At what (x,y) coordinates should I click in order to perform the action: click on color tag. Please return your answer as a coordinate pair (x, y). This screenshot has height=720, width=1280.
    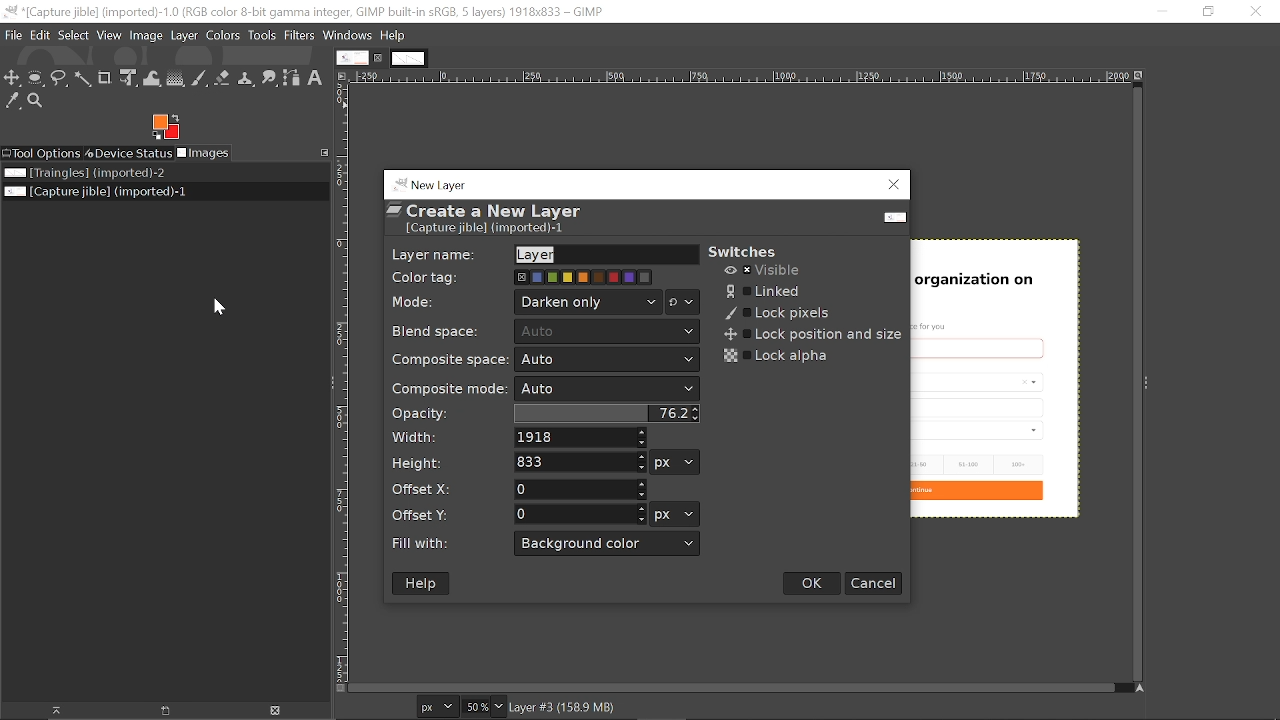
    Looking at the image, I should click on (433, 278).